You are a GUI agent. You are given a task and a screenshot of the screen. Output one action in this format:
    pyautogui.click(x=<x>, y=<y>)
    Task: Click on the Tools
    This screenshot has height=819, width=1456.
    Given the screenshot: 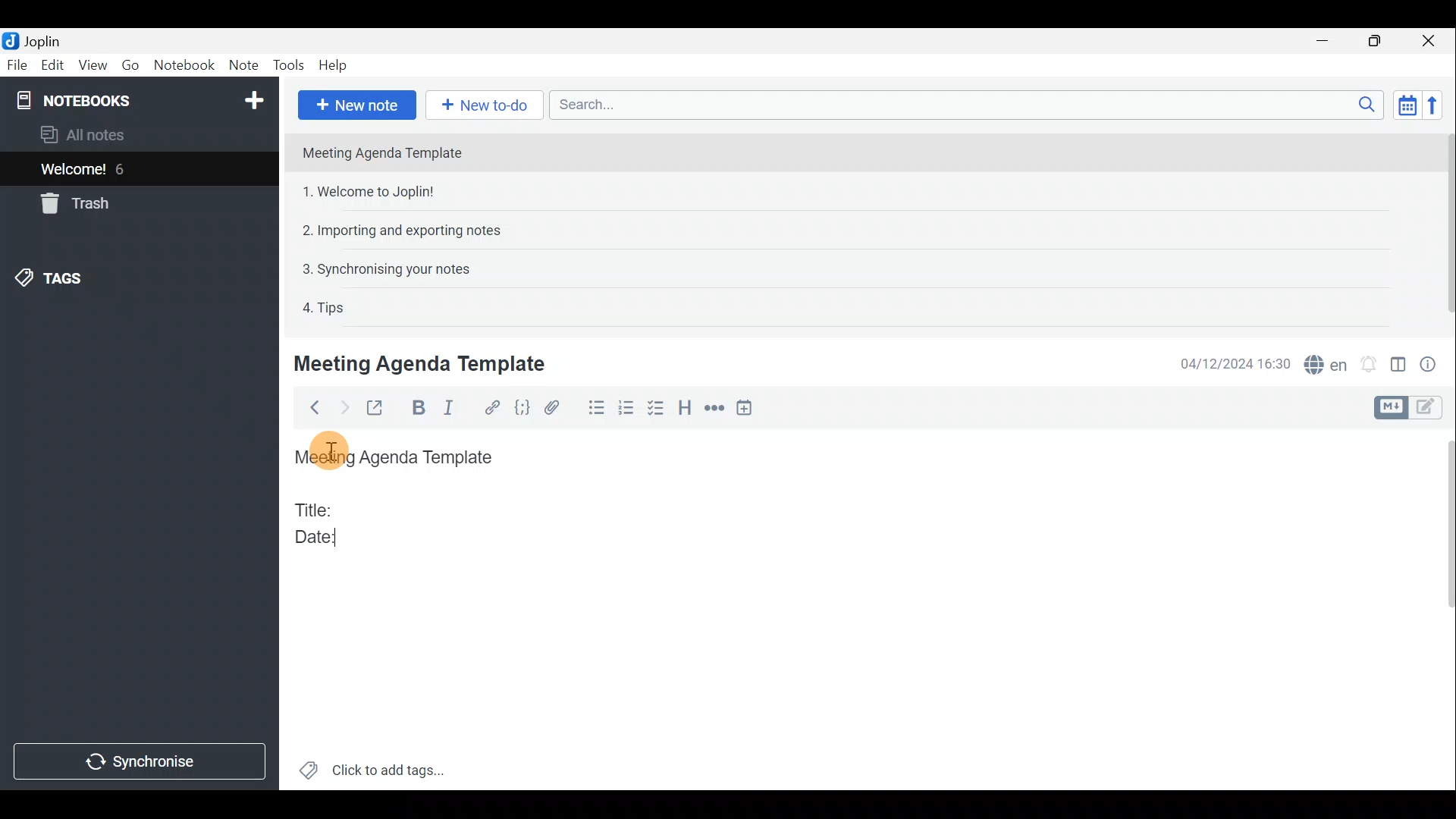 What is the action you would take?
    pyautogui.click(x=287, y=63)
    